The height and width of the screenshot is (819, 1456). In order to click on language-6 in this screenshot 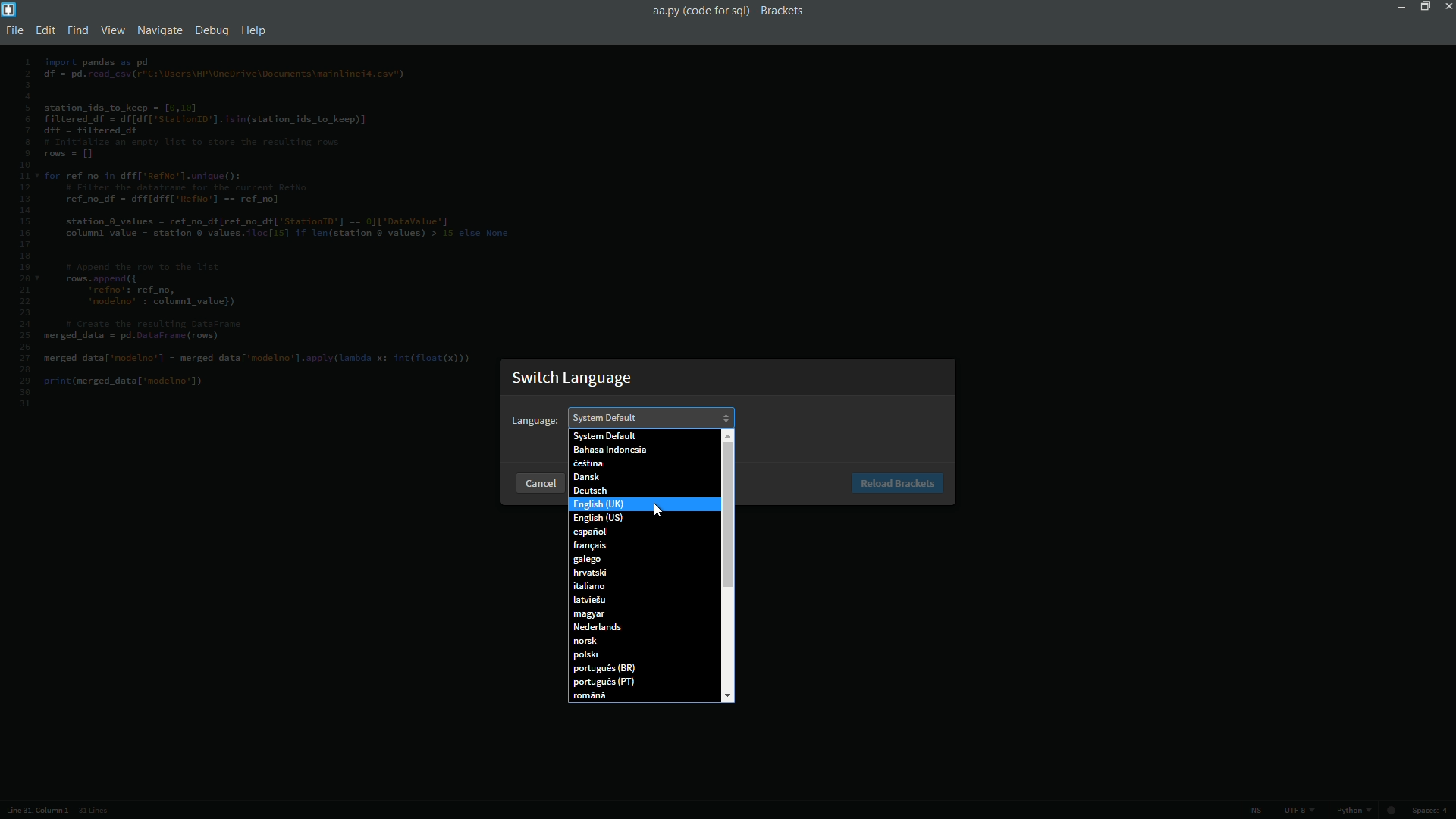, I will do `click(598, 519)`.